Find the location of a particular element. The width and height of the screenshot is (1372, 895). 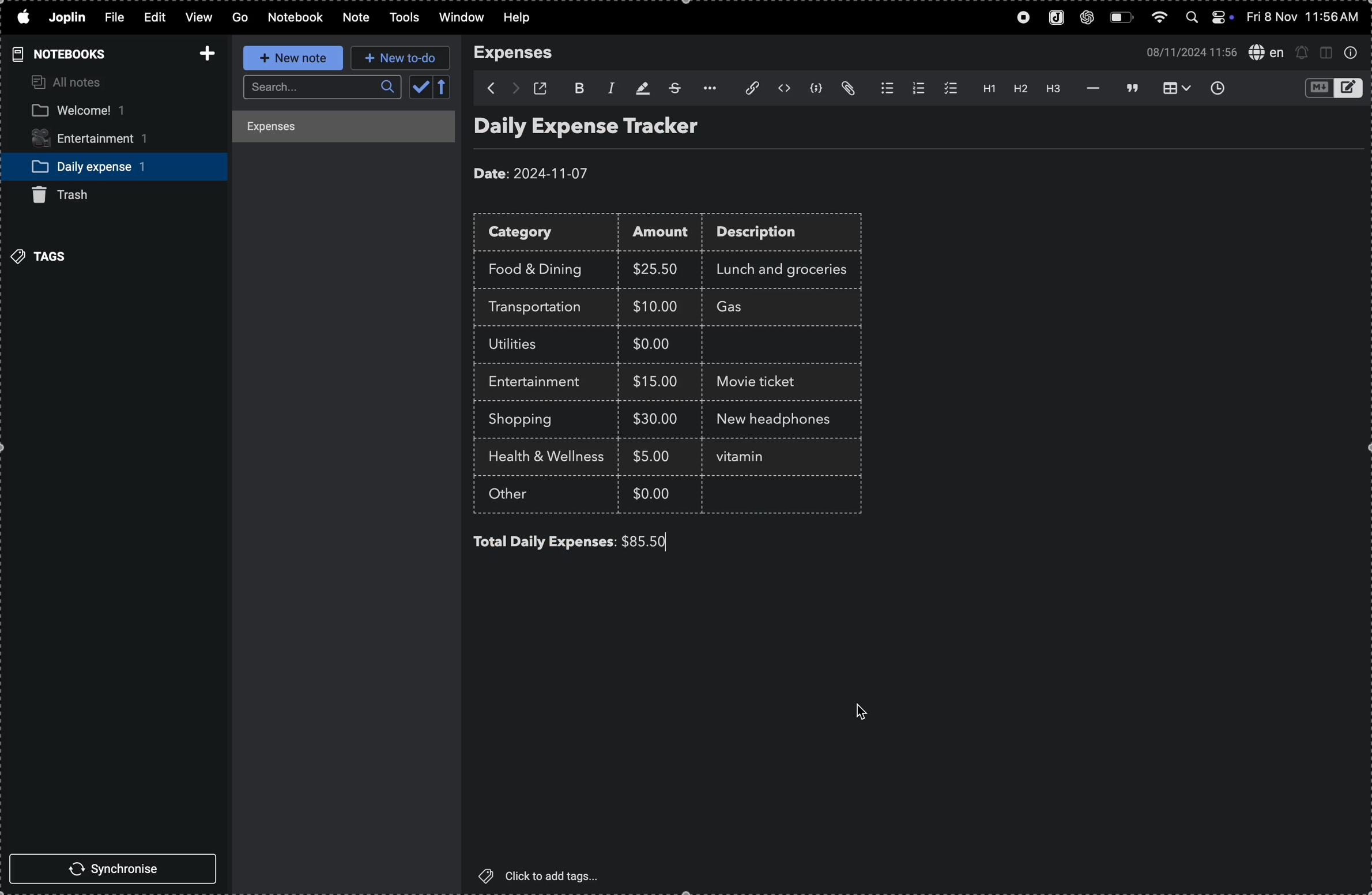

help is located at coordinates (524, 18).